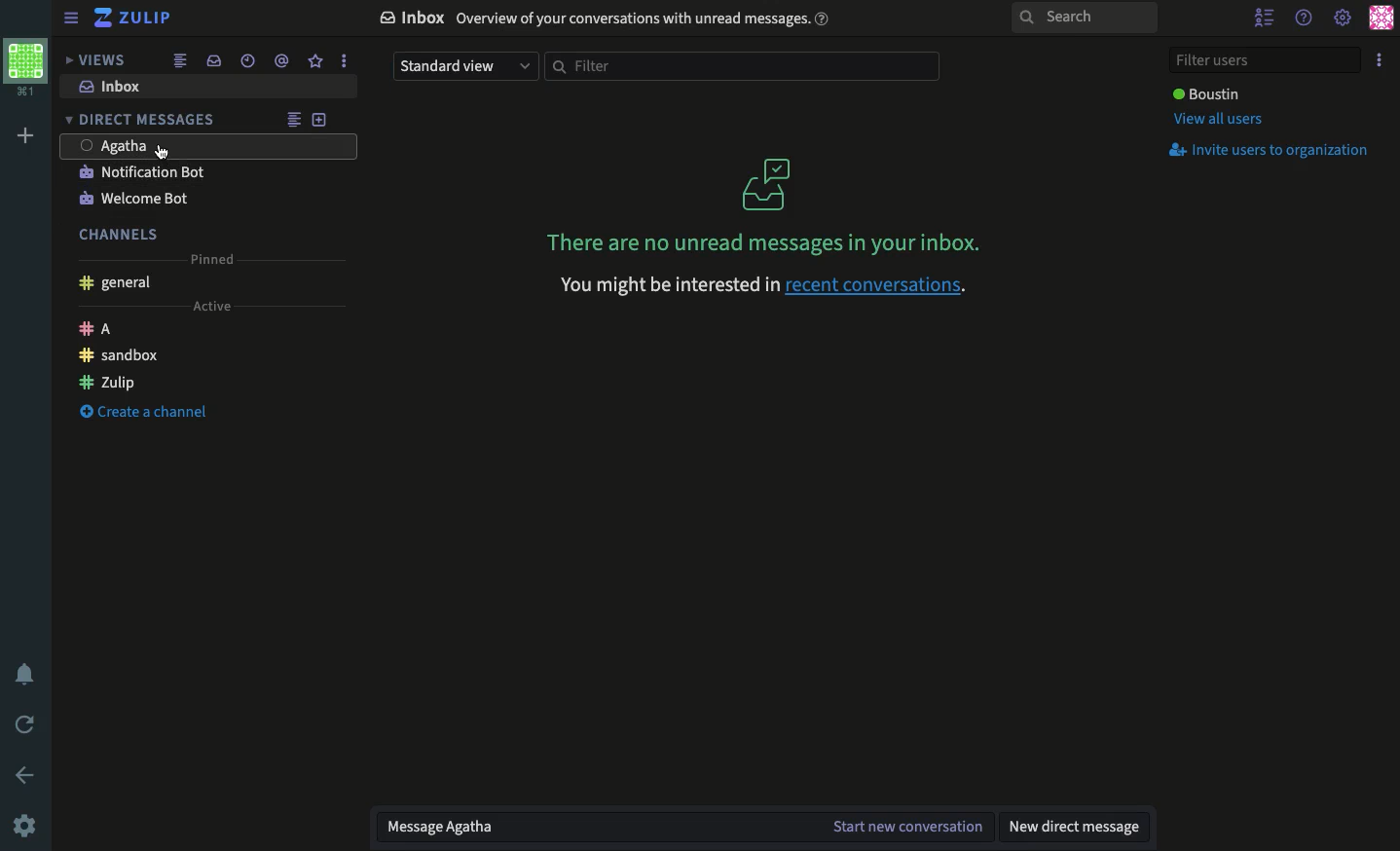 Image resolution: width=1400 pixels, height=851 pixels. Describe the element at coordinates (27, 724) in the screenshot. I see `Refresh` at that location.